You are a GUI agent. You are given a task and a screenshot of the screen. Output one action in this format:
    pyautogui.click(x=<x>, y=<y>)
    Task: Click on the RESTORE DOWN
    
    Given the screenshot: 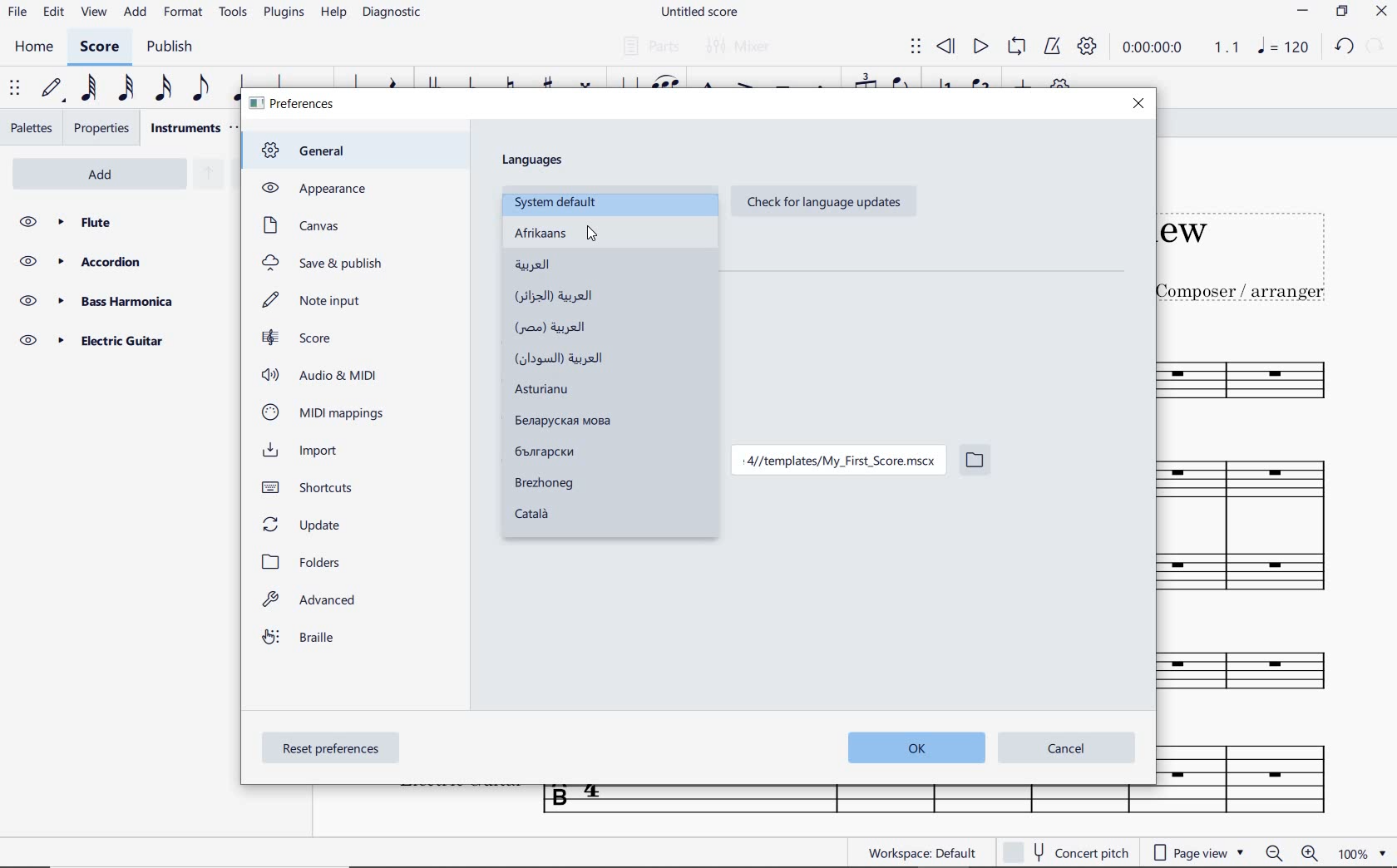 What is the action you would take?
    pyautogui.click(x=1340, y=12)
    